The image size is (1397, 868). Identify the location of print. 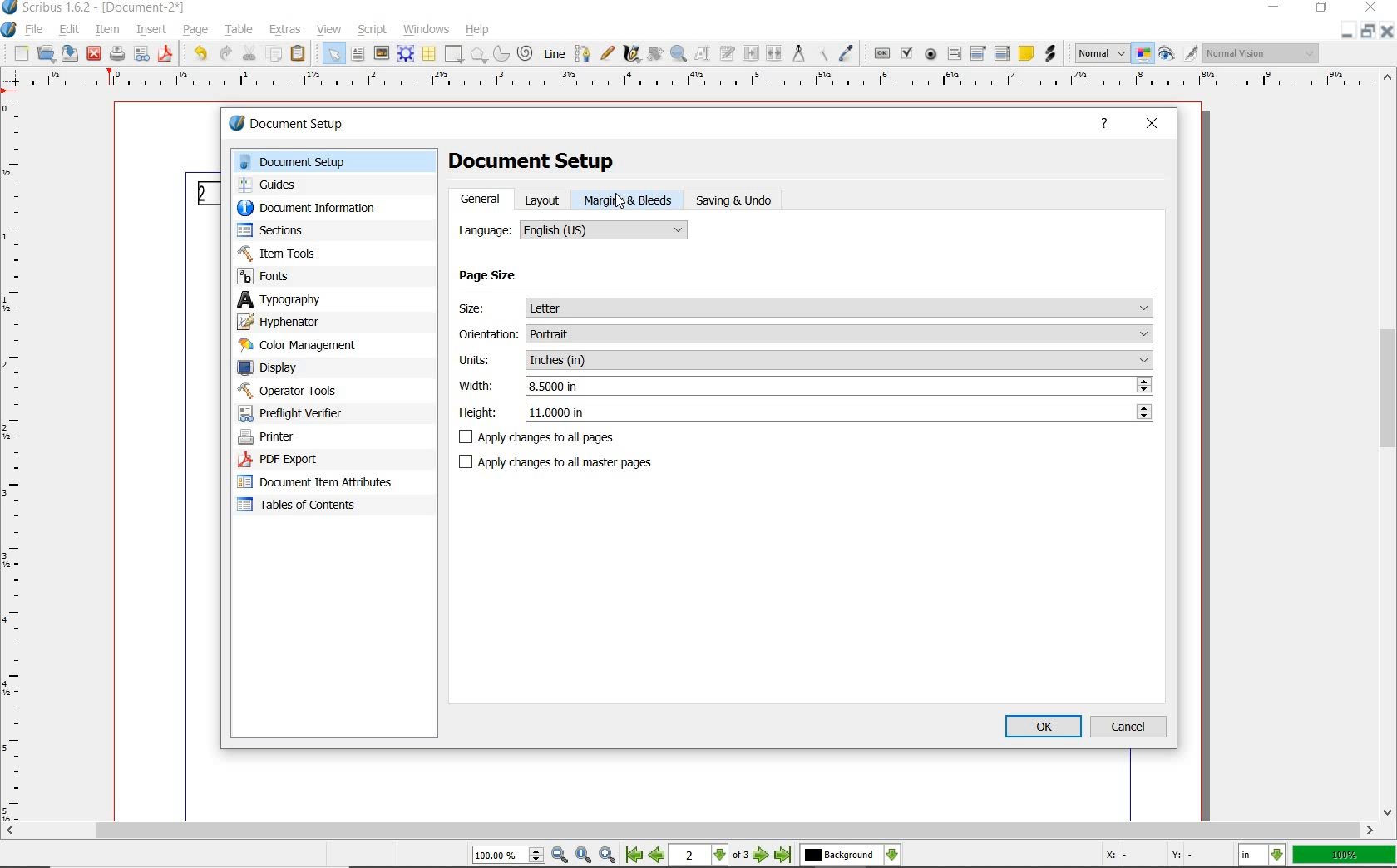
(116, 53).